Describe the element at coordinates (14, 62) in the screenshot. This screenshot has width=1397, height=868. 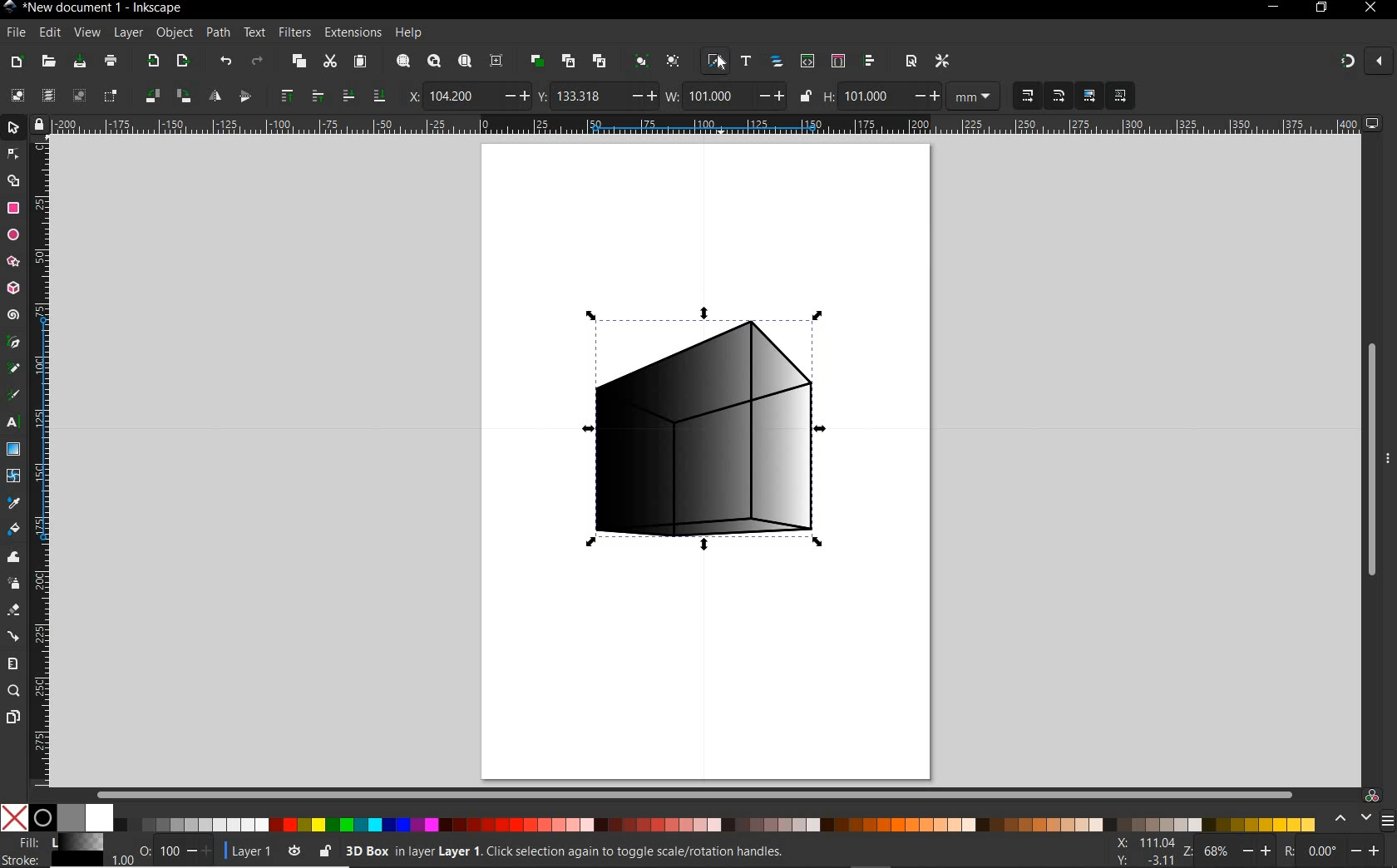
I see `NEW` at that location.